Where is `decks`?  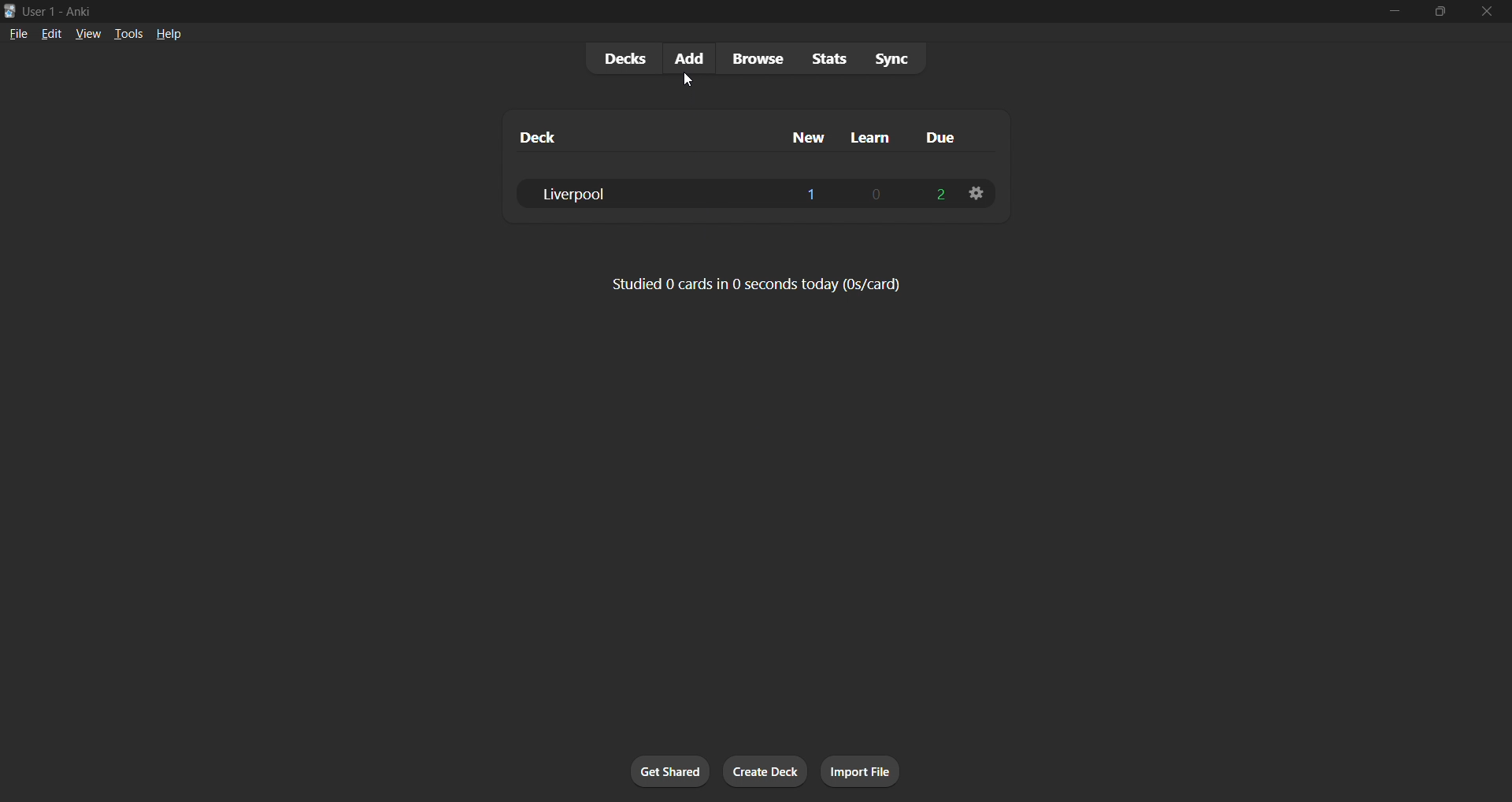 decks is located at coordinates (617, 58).